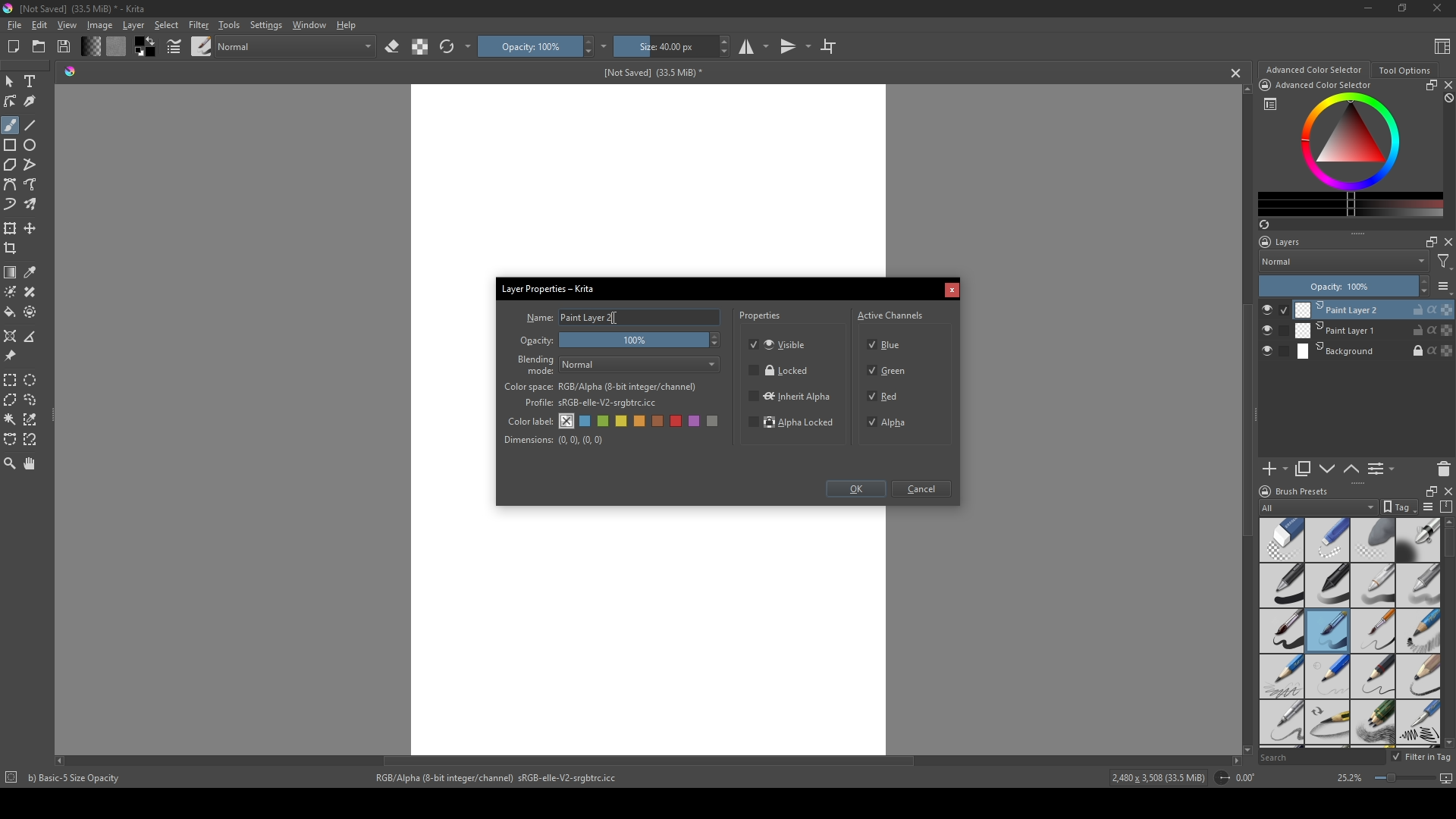 The height and width of the screenshot is (819, 1456). I want to click on erase, so click(393, 47).